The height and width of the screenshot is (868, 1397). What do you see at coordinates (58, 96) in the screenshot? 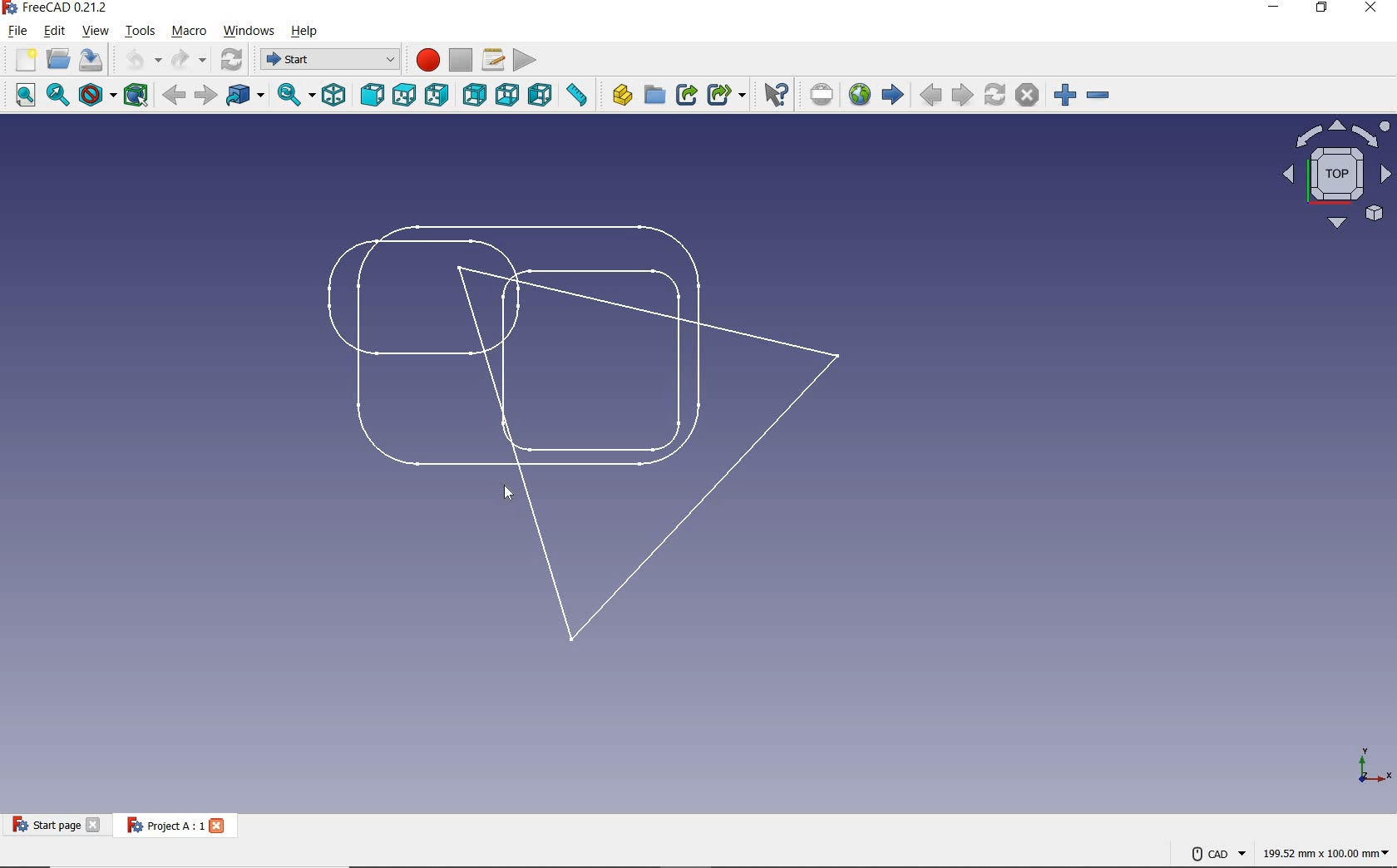
I see `FIT SELECTION` at bounding box center [58, 96].